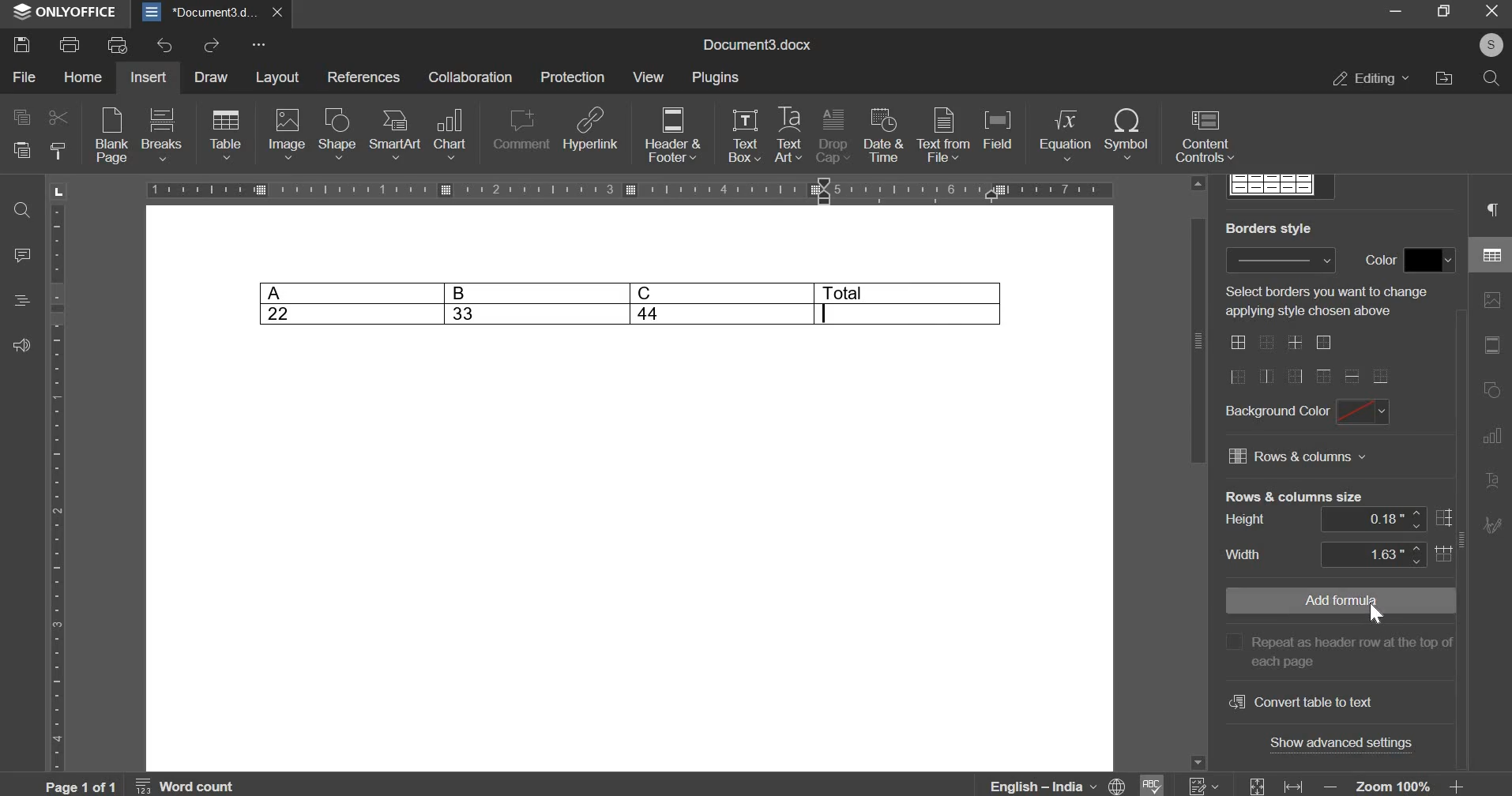  Describe the element at coordinates (57, 191) in the screenshot. I see `page orientation` at that location.